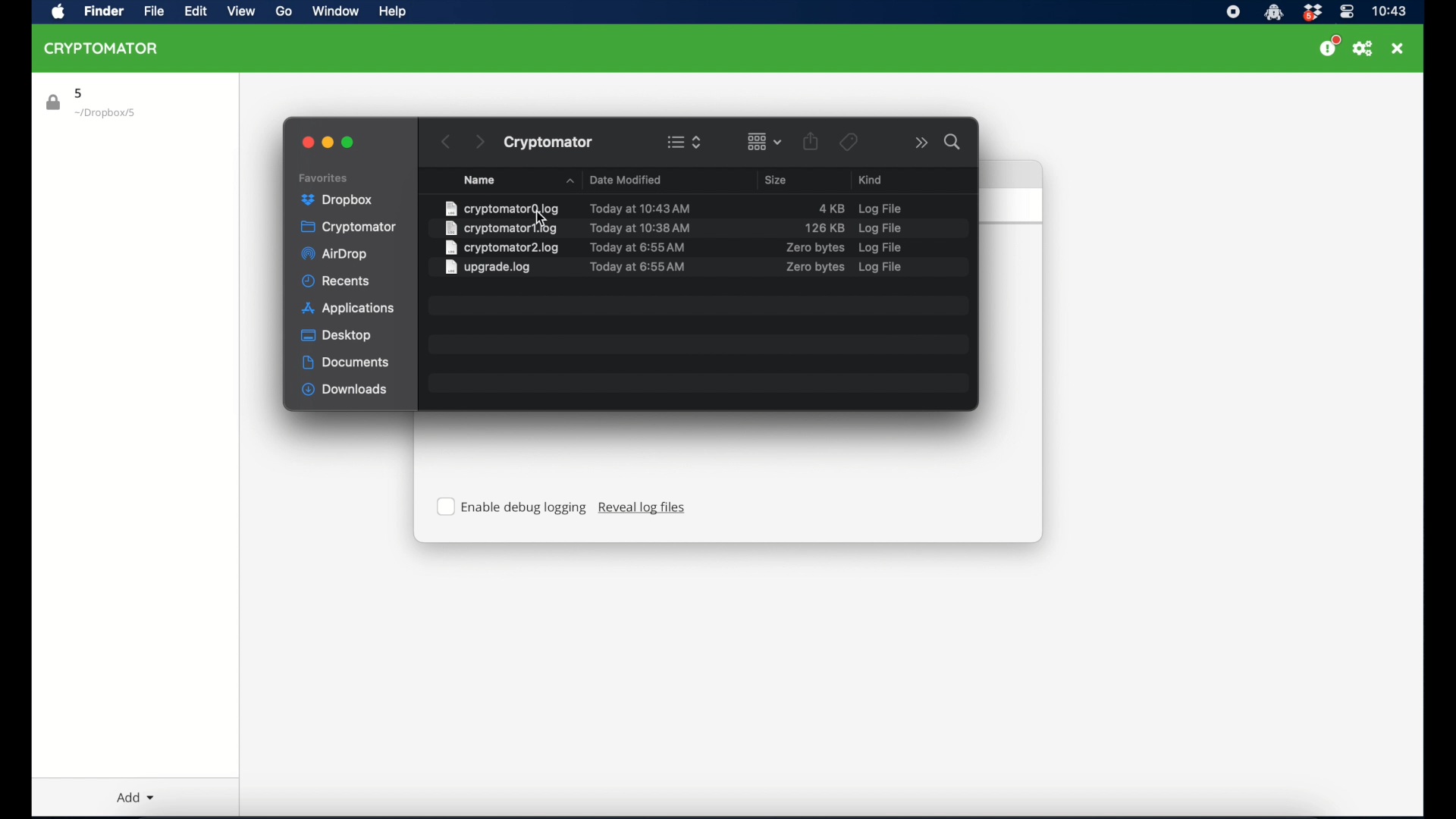 The height and width of the screenshot is (819, 1456). Describe the element at coordinates (105, 11) in the screenshot. I see `finder` at that location.